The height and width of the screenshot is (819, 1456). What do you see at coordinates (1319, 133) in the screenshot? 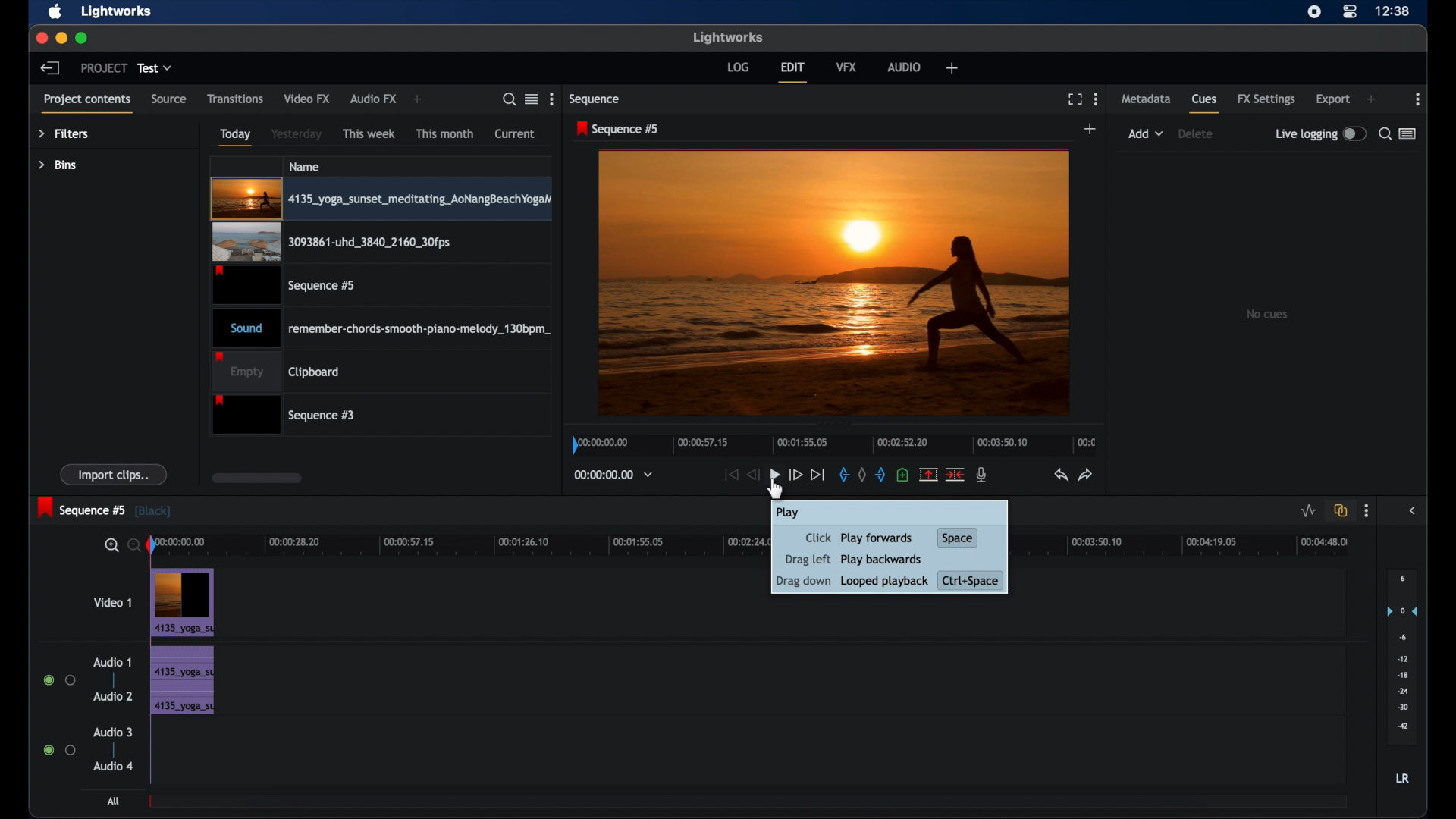
I see `live logging` at bounding box center [1319, 133].